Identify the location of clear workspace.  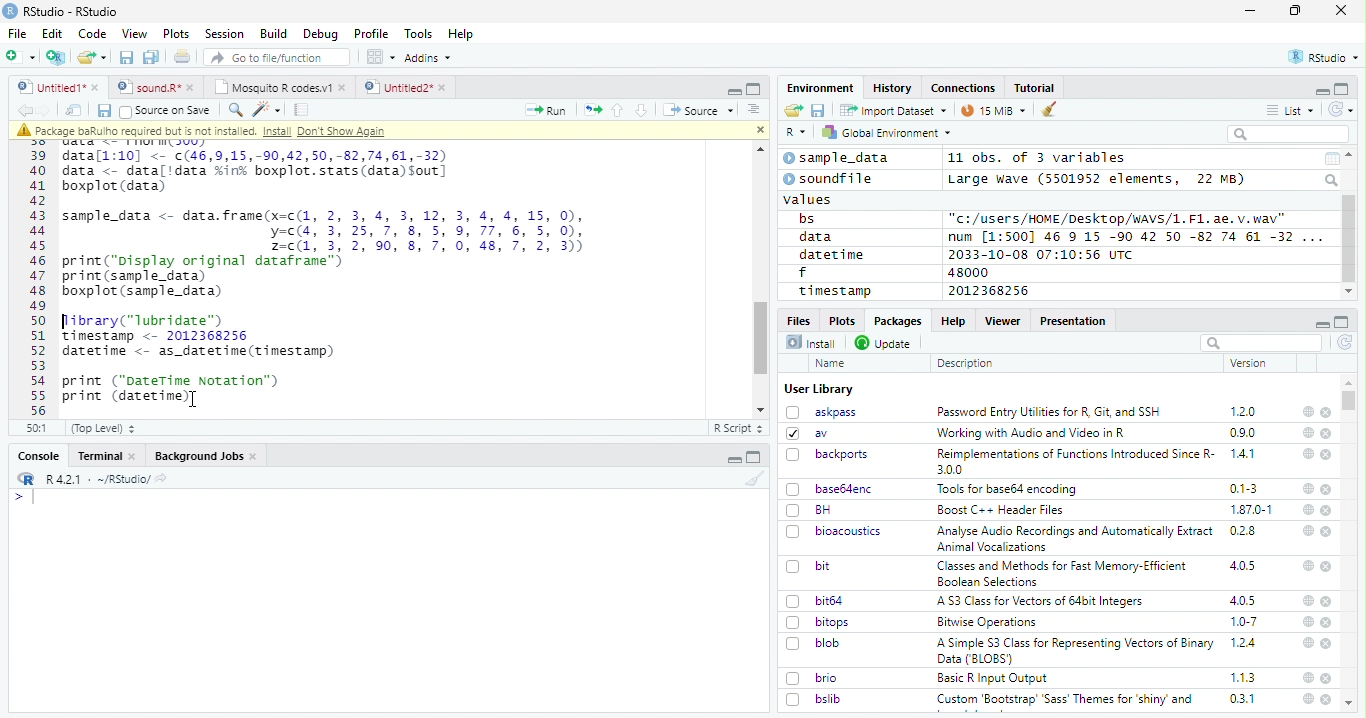
(1050, 110).